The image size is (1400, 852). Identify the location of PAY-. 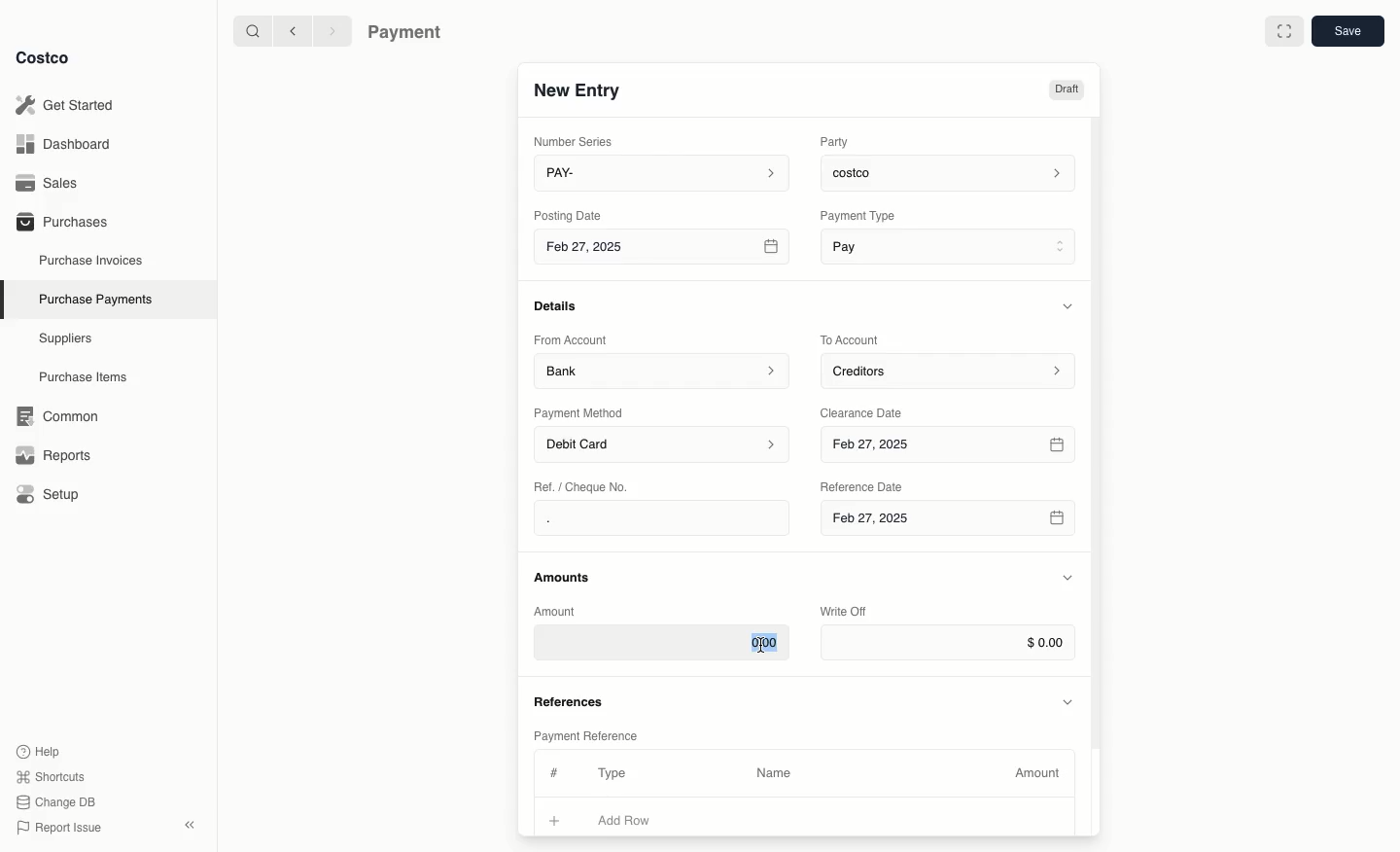
(663, 172).